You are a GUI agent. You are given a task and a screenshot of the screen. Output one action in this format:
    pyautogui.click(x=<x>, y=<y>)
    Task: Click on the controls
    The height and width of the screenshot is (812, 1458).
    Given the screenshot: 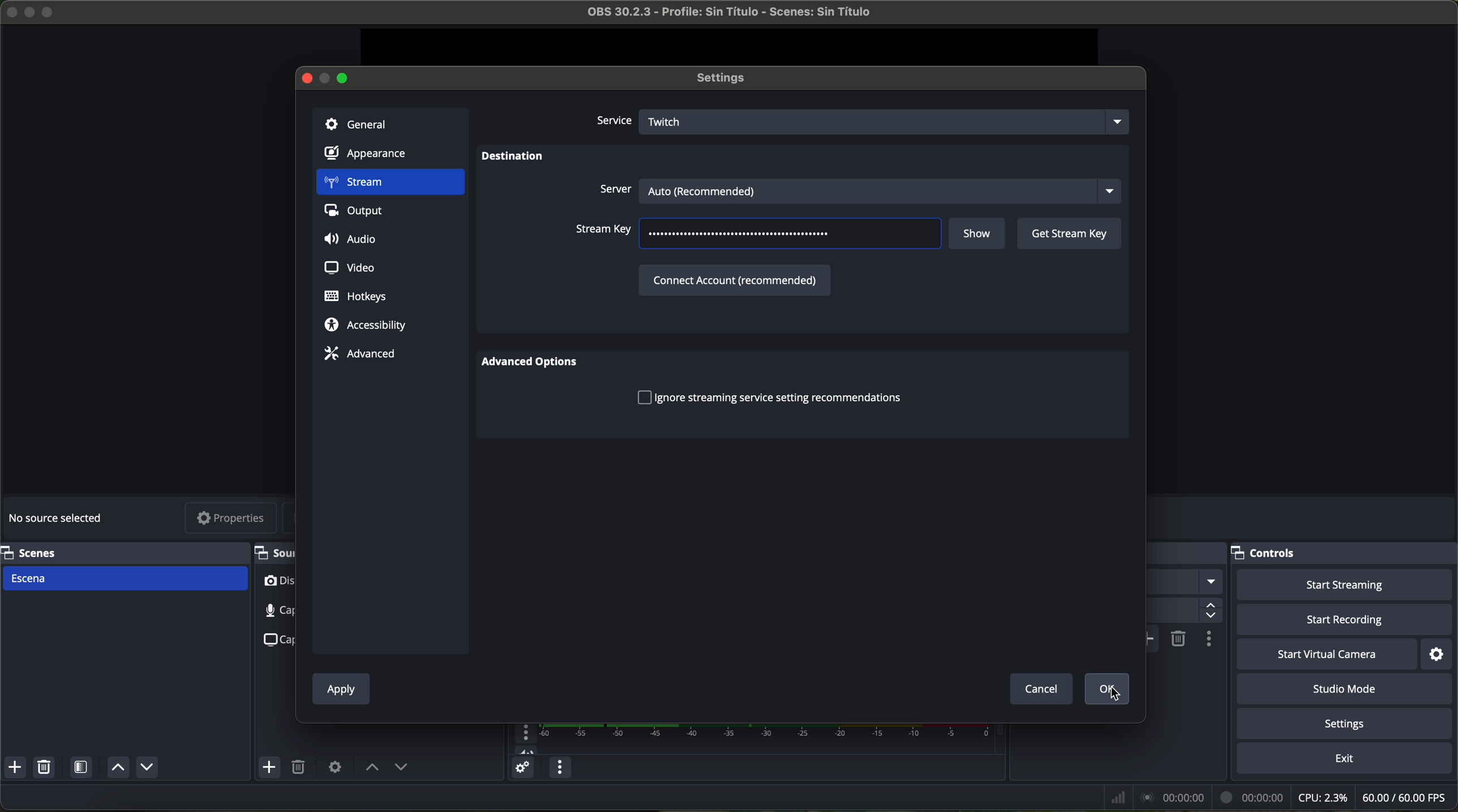 What is the action you would take?
    pyautogui.click(x=1344, y=553)
    